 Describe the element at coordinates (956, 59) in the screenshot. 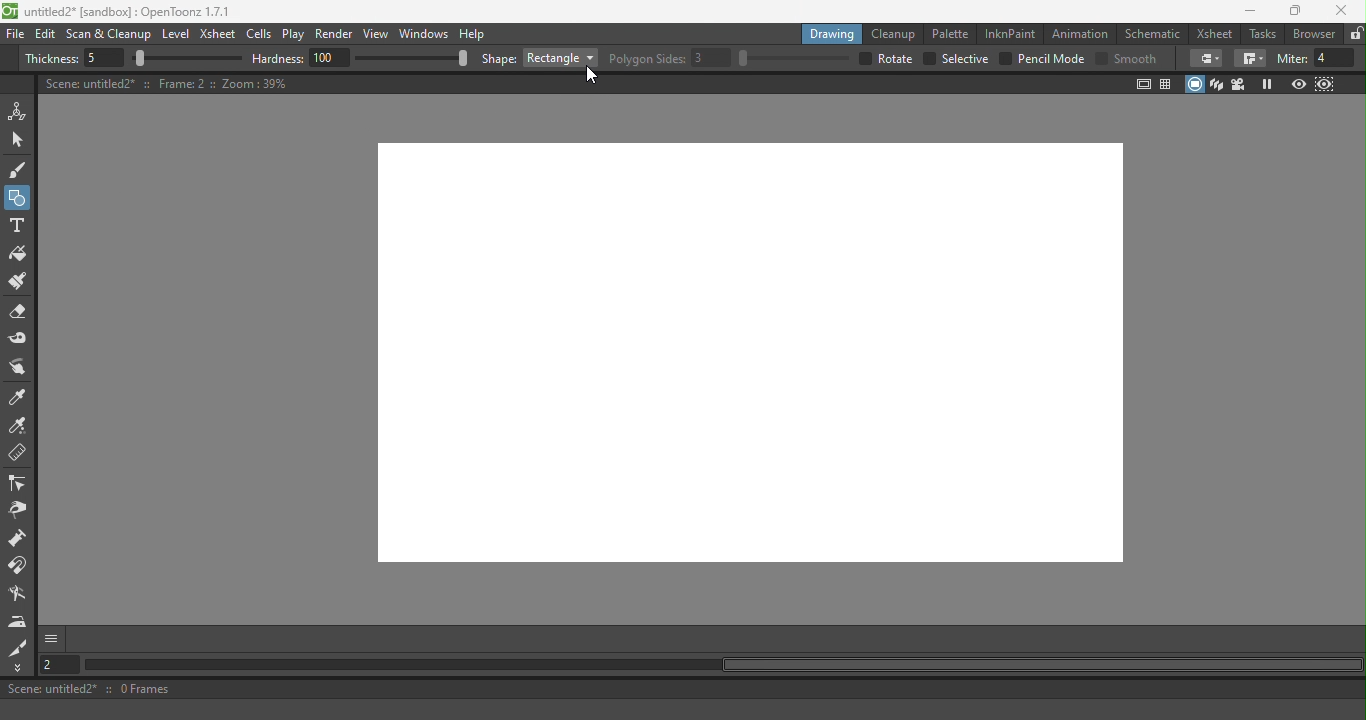

I see `Selective` at that location.